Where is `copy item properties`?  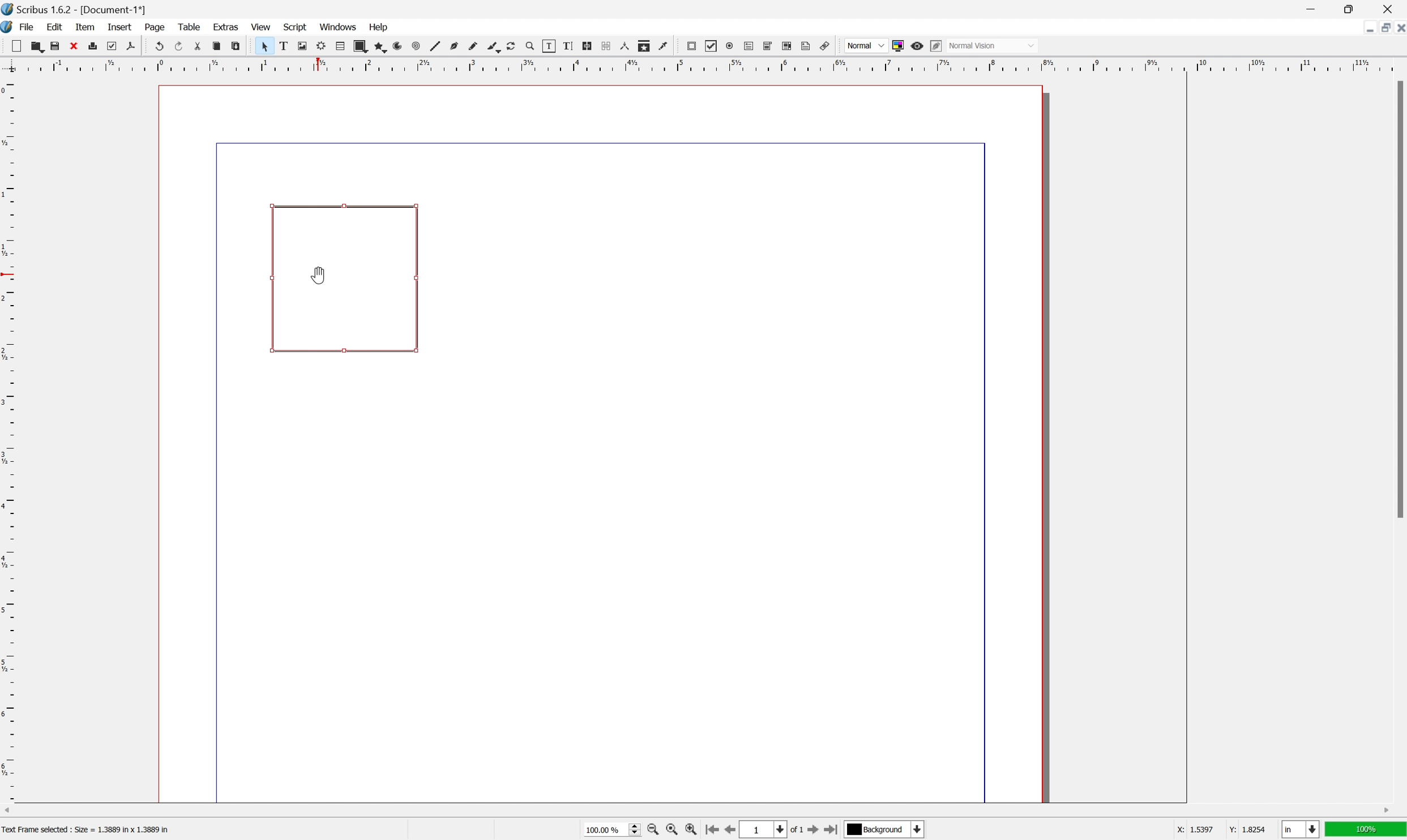 copy item properties is located at coordinates (643, 46).